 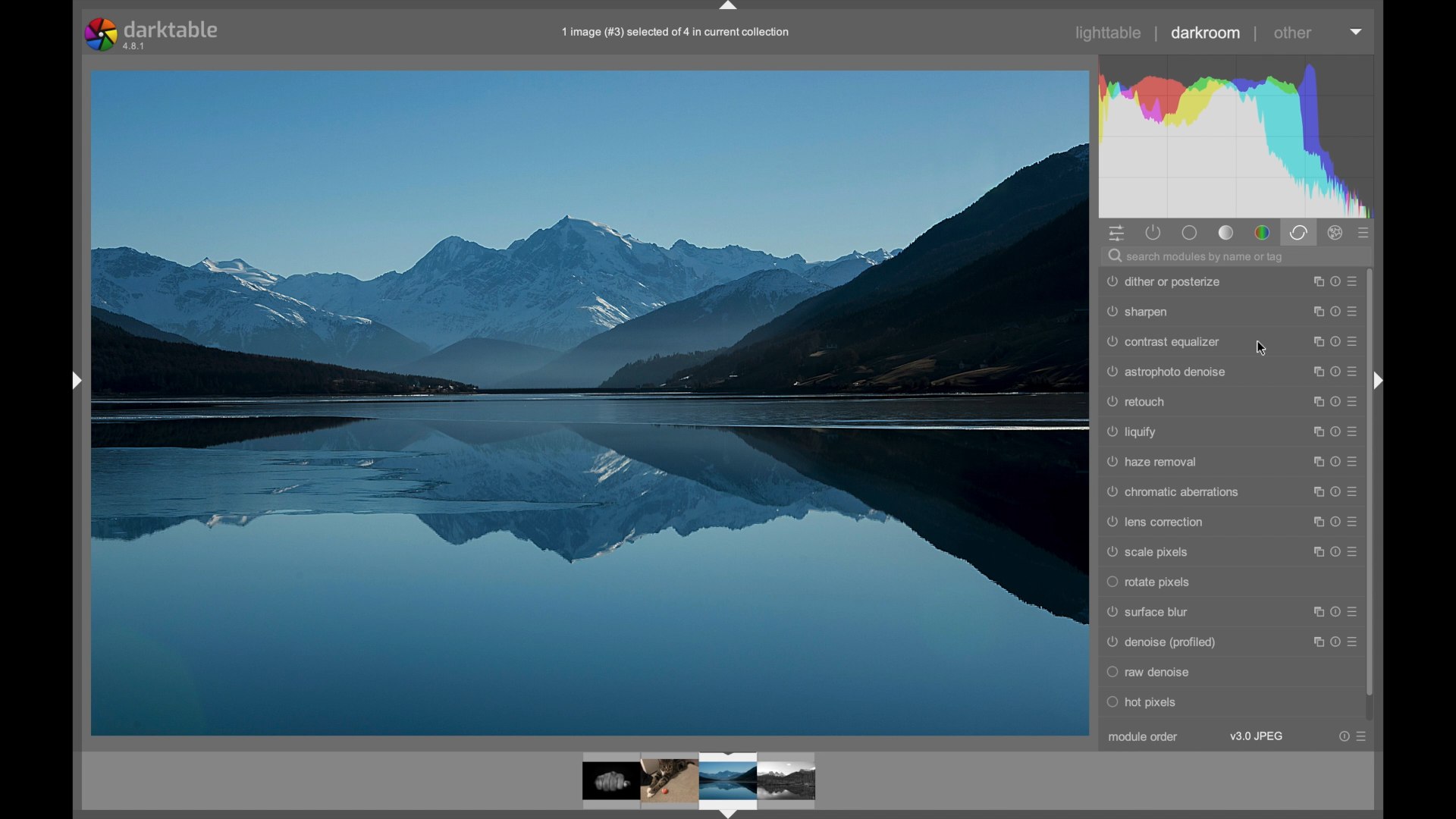 I want to click on rotate pixels, so click(x=1150, y=582).